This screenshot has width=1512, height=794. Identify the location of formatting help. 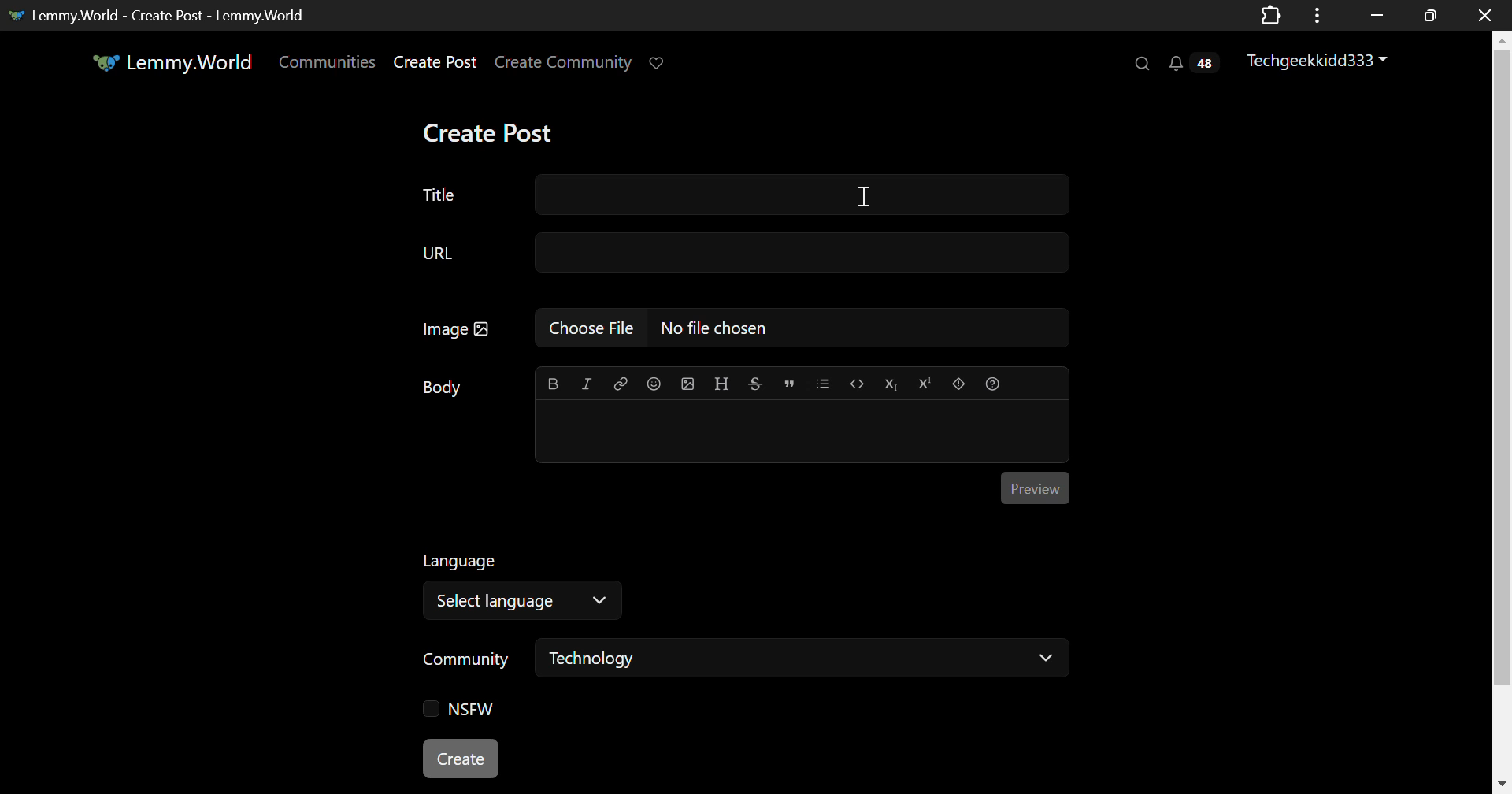
(991, 381).